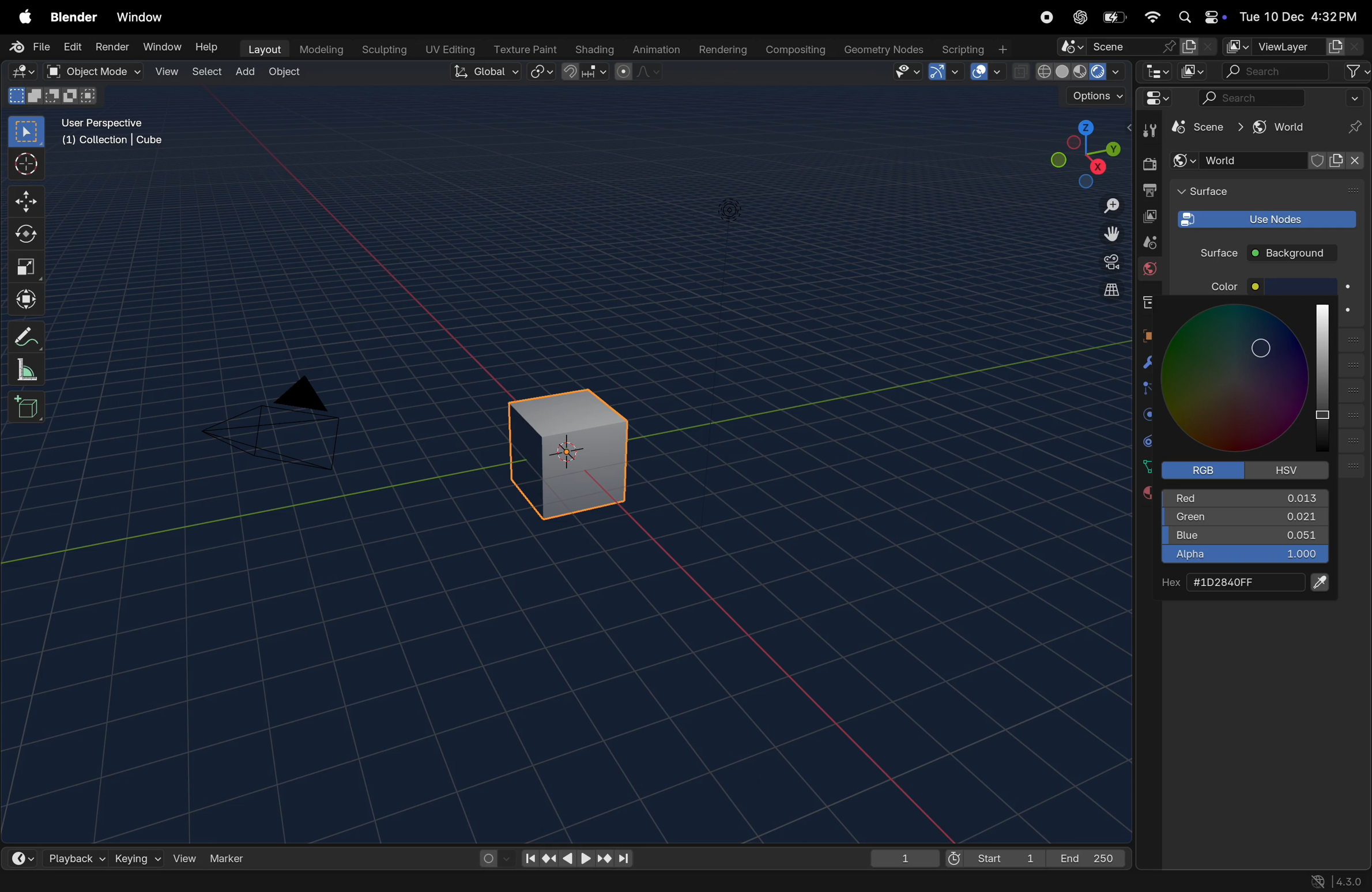  Describe the element at coordinates (1148, 335) in the screenshot. I see `object ` at that location.